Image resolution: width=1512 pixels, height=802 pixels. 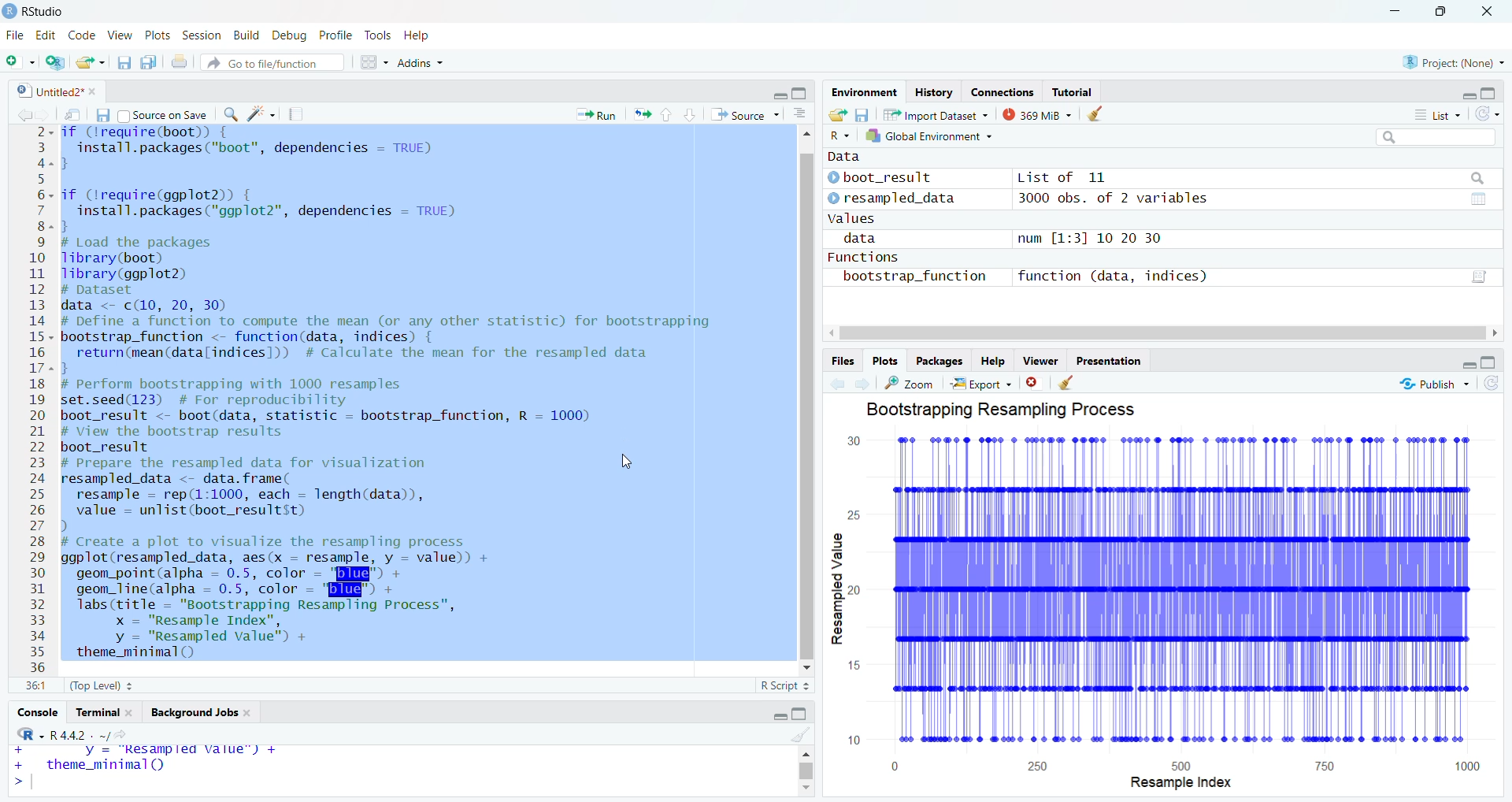 What do you see at coordinates (1169, 599) in the screenshot?
I see `graph` at bounding box center [1169, 599].